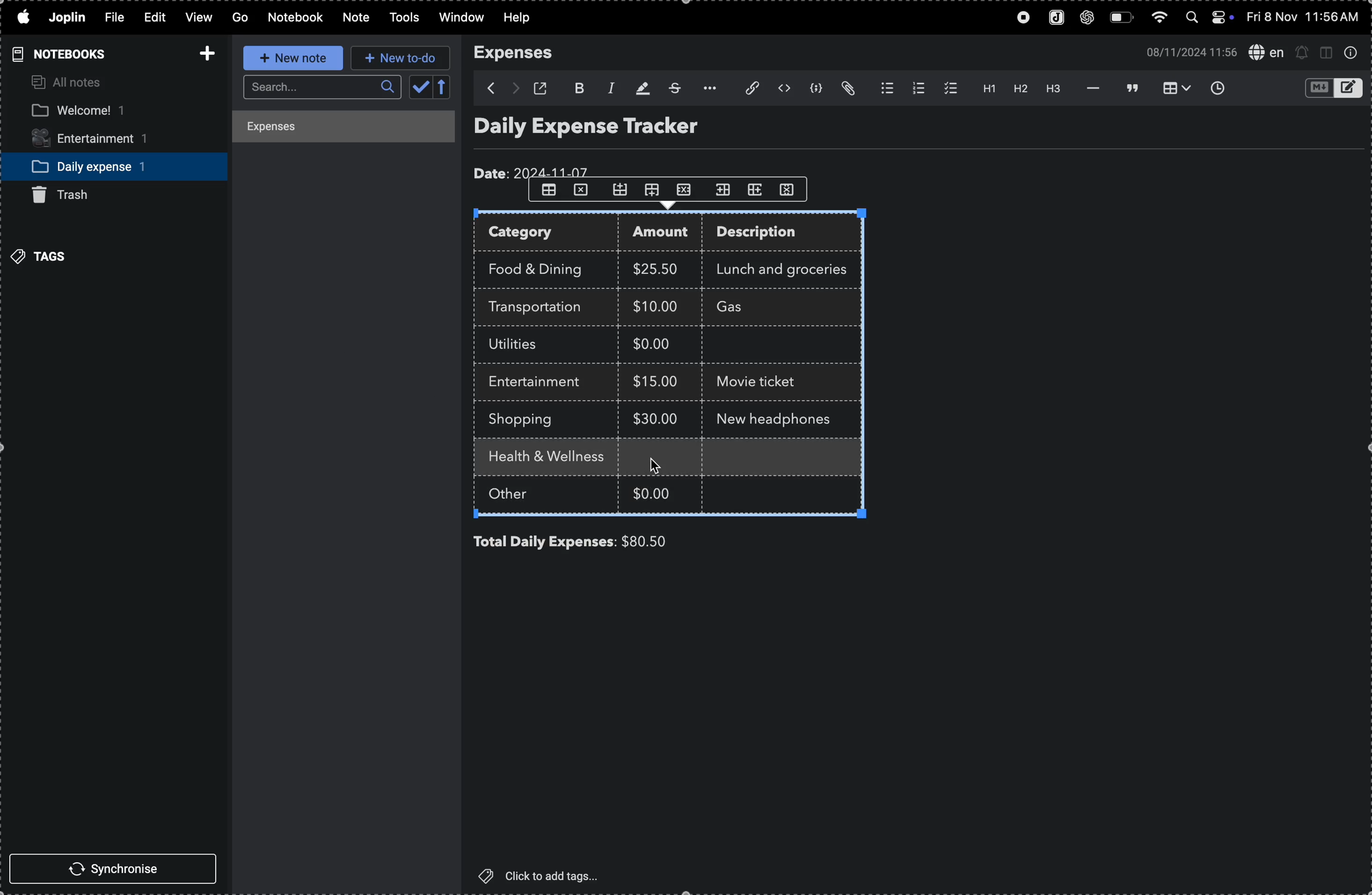 This screenshot has width=1372, height=895. I want to click on close row, so click(582, 193).